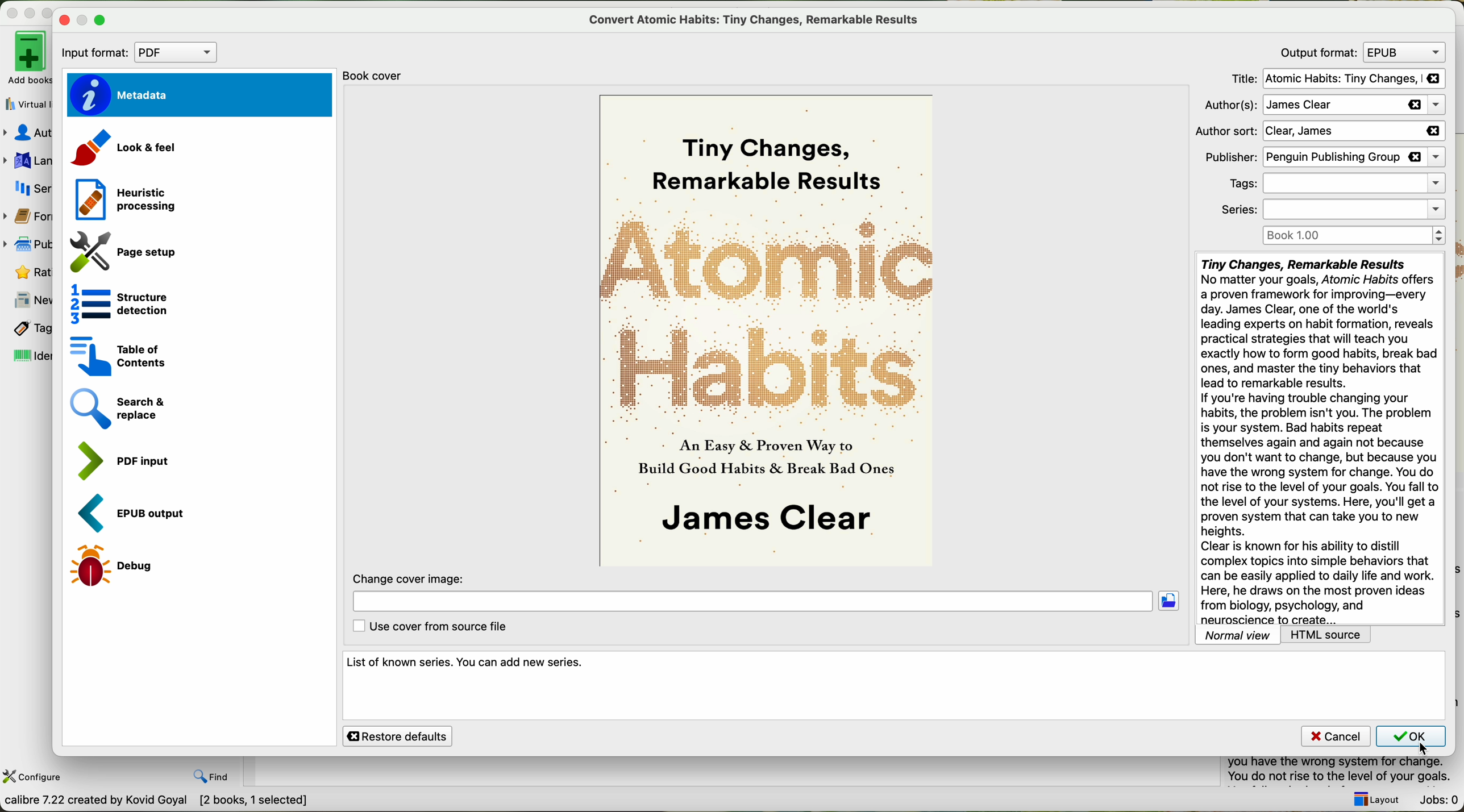  Describe the element at coordinates (759, 19) in the screenshot. I see `convert atomic habits` at that location.